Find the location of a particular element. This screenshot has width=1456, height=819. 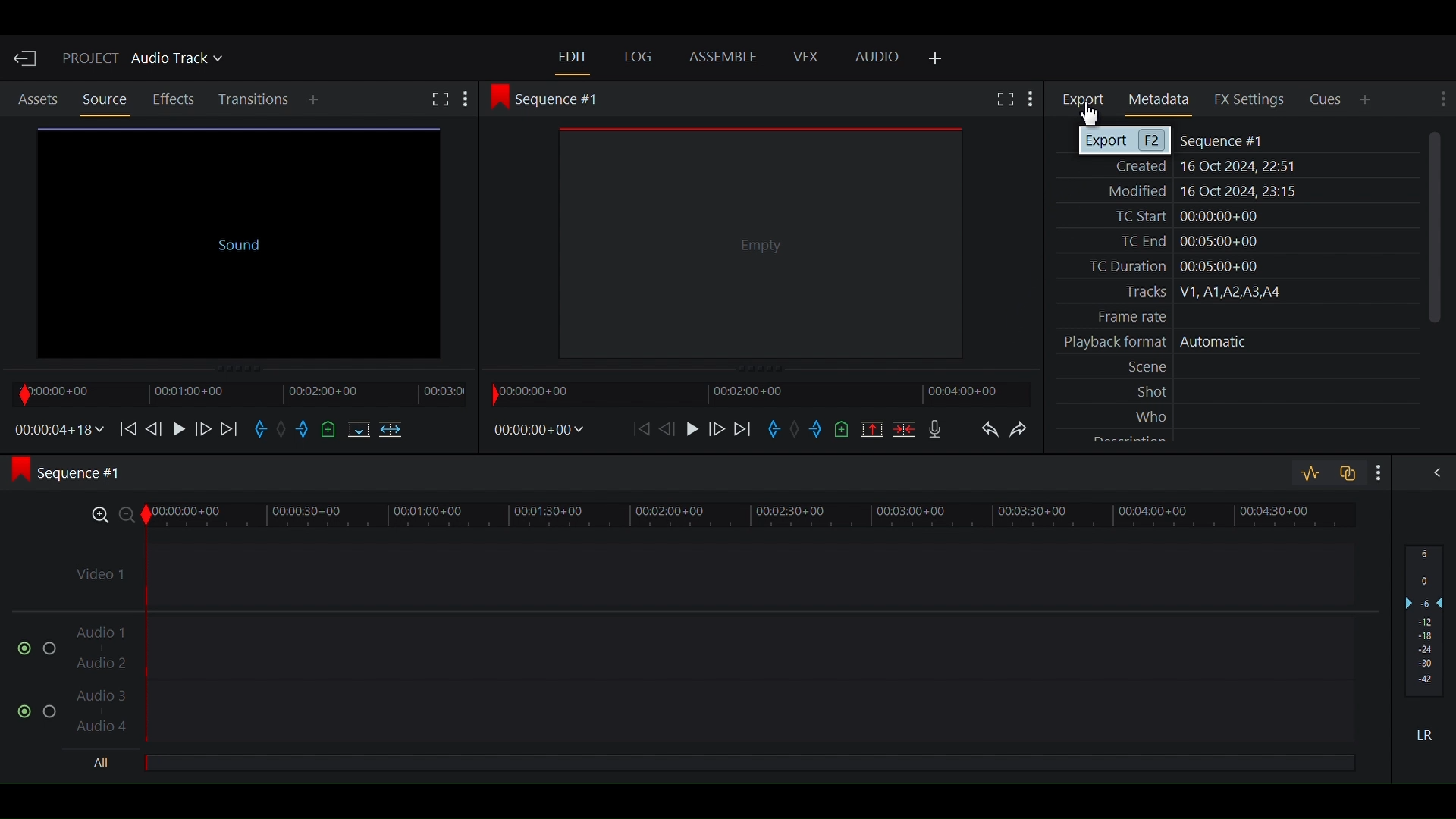

Sequence #1 is located at coordinates (1225, 142).